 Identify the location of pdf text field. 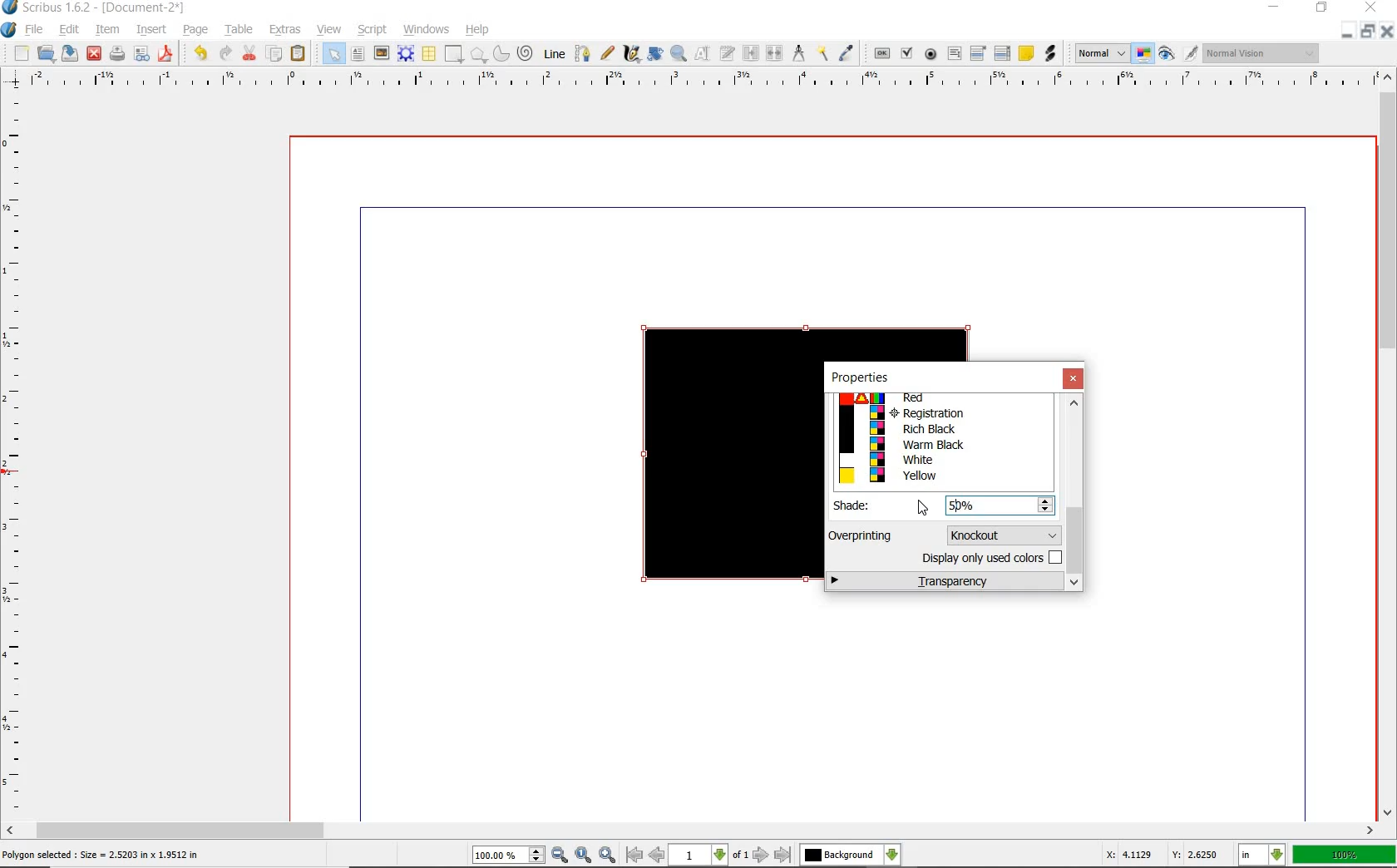
(955, 54).